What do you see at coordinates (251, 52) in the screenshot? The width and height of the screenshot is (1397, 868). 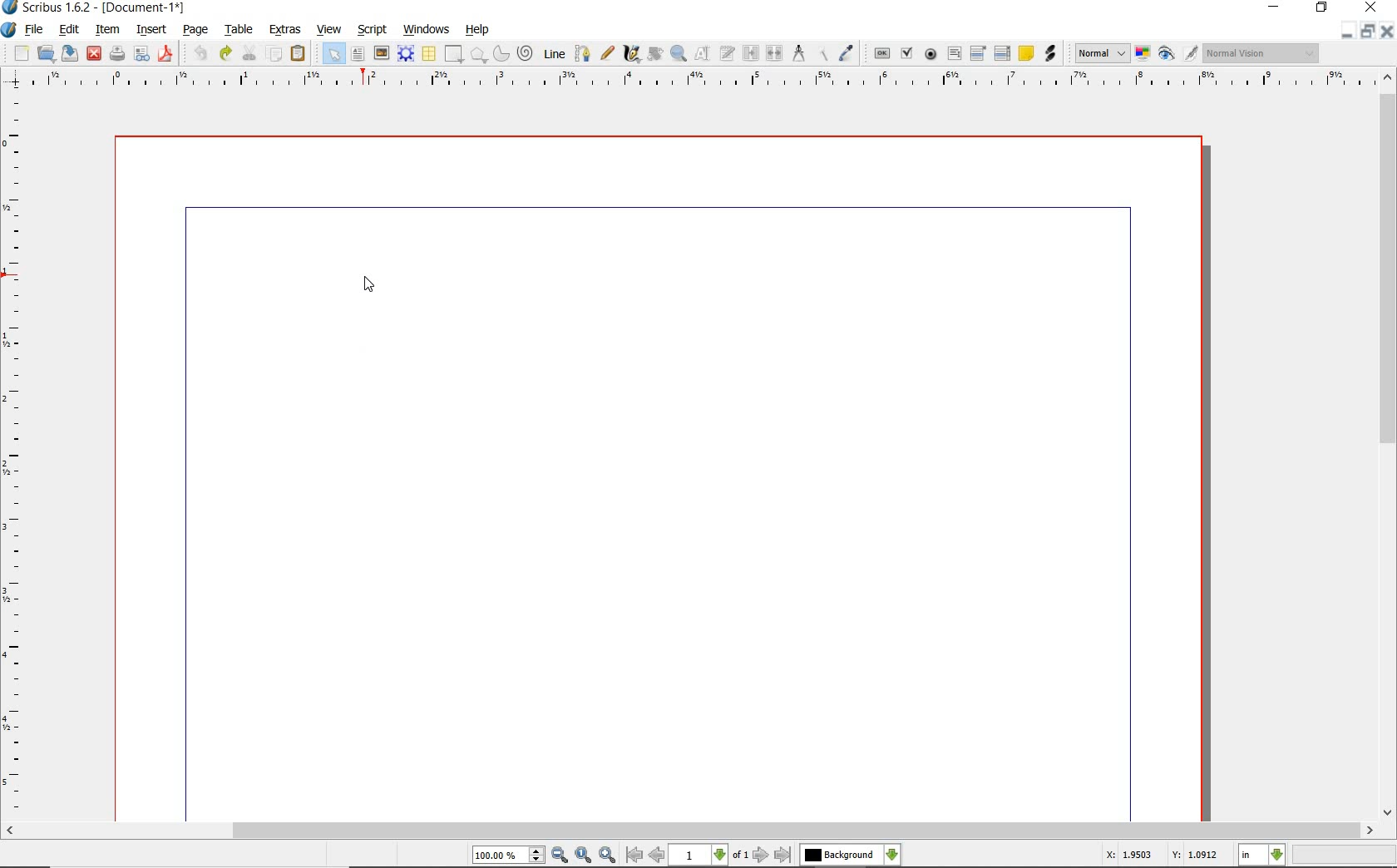 I see `cut` at bounding box center [251, 52].